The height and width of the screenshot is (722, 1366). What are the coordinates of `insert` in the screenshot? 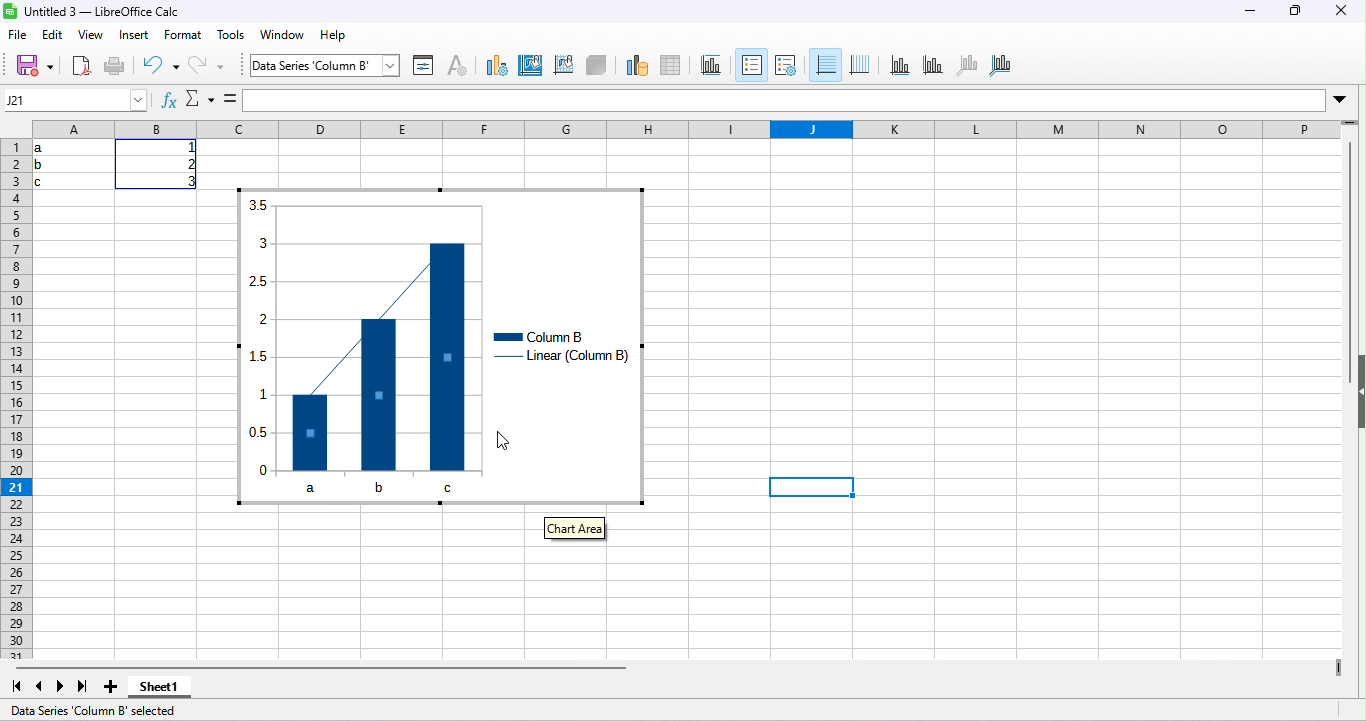 It's located at (135, 37).